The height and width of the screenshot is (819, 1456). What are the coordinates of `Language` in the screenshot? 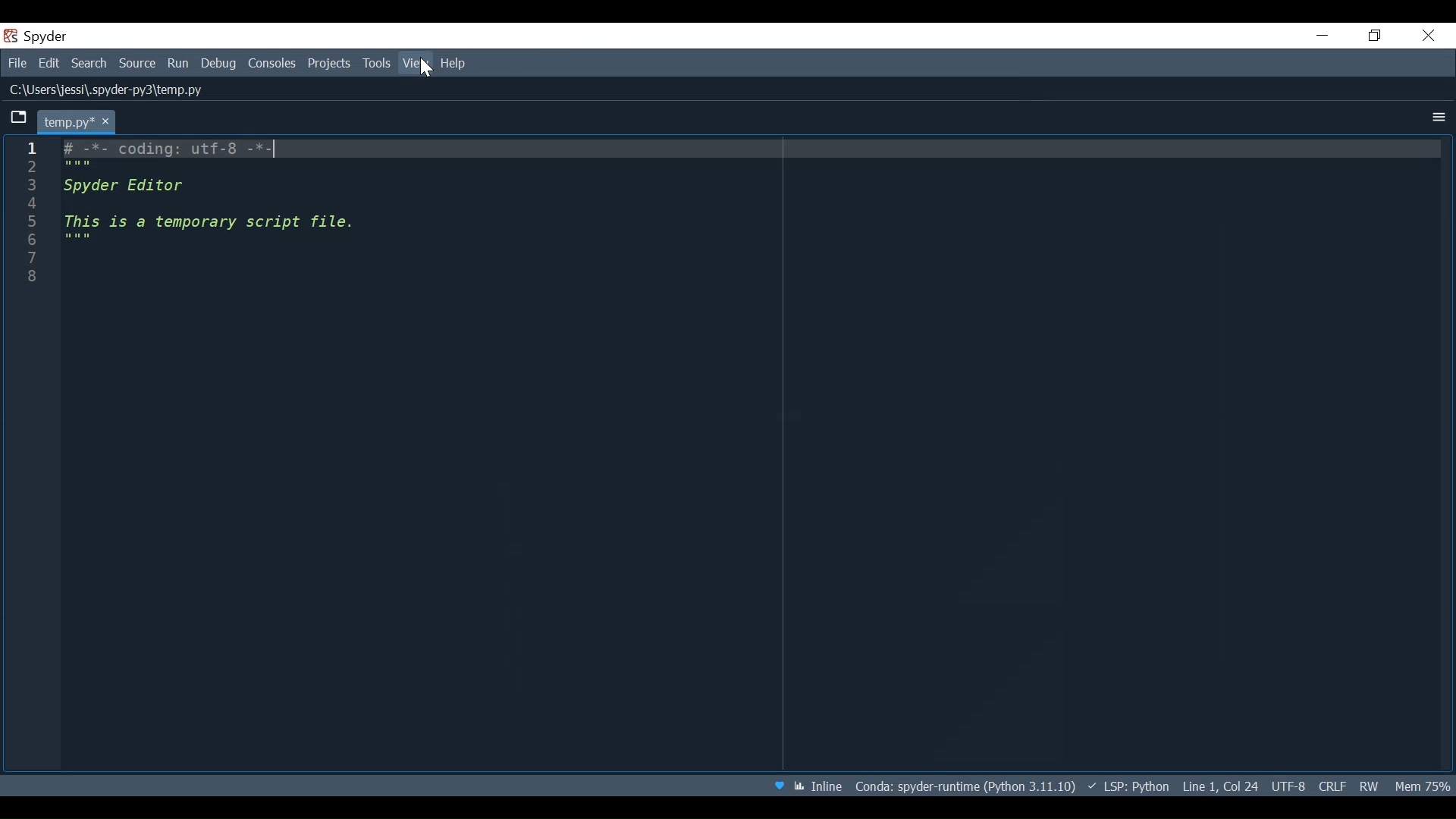 It's located at (1128, 786).